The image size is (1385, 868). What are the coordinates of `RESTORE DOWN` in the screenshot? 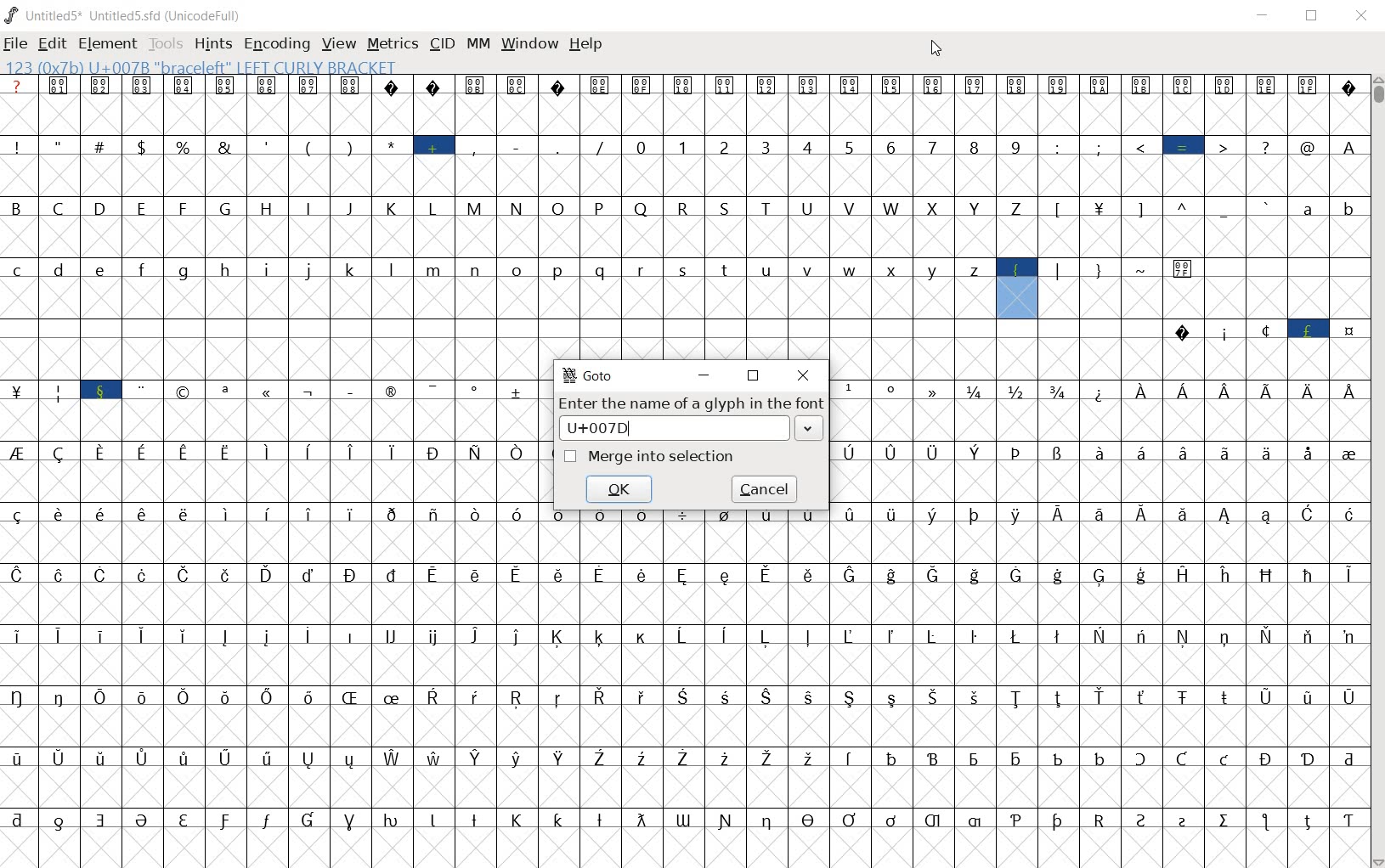 It's located at (1315, 17).